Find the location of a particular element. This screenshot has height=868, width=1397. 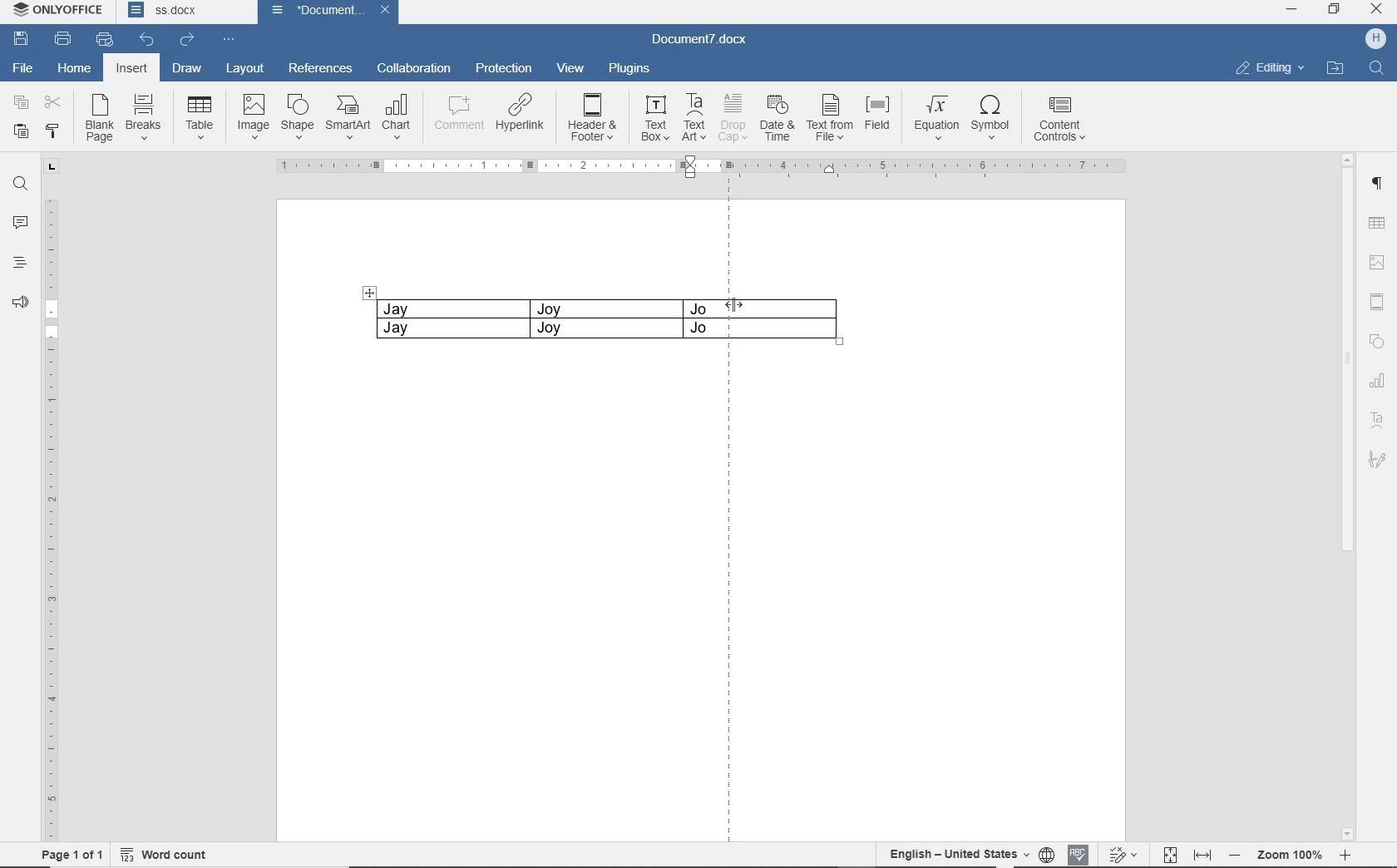

IMAGE is located at coordinates (1377, 264).